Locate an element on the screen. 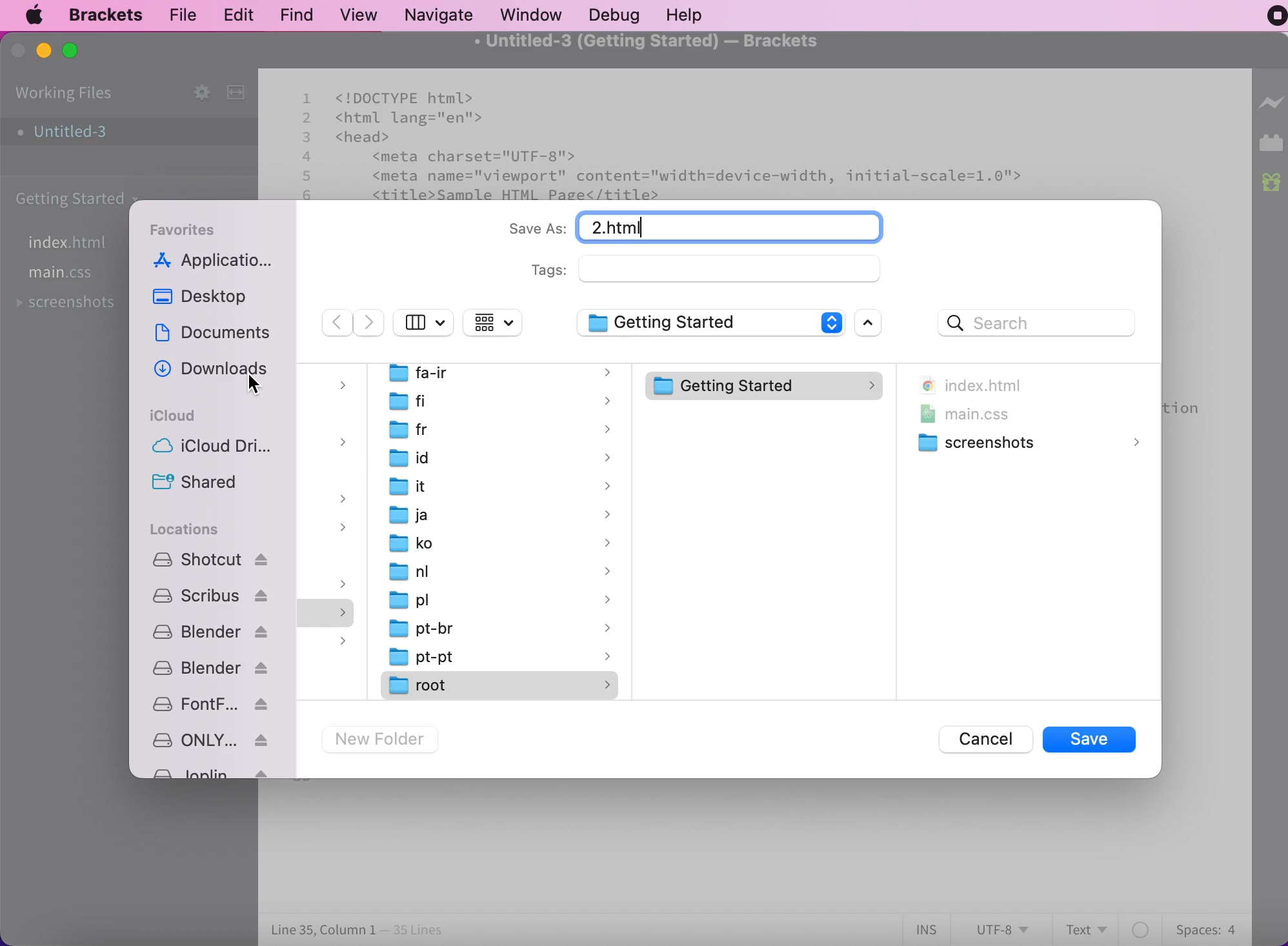 This screenshot has height=946, width=1288. ko is located at coordinates (501, 542).